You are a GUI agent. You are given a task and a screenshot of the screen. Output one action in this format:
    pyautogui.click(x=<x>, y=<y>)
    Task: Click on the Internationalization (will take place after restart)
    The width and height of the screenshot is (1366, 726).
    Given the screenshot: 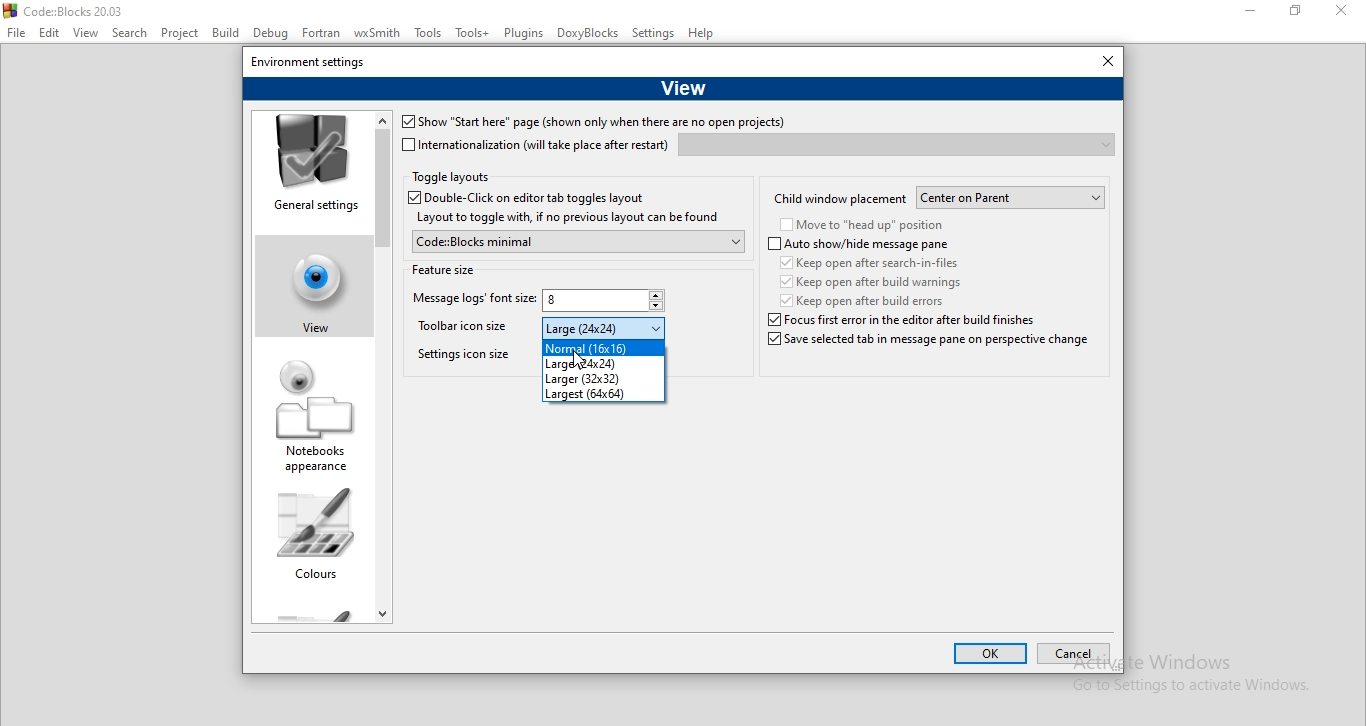 What is the action you would take?
    pyautogui.click(x=536, y=145)
    